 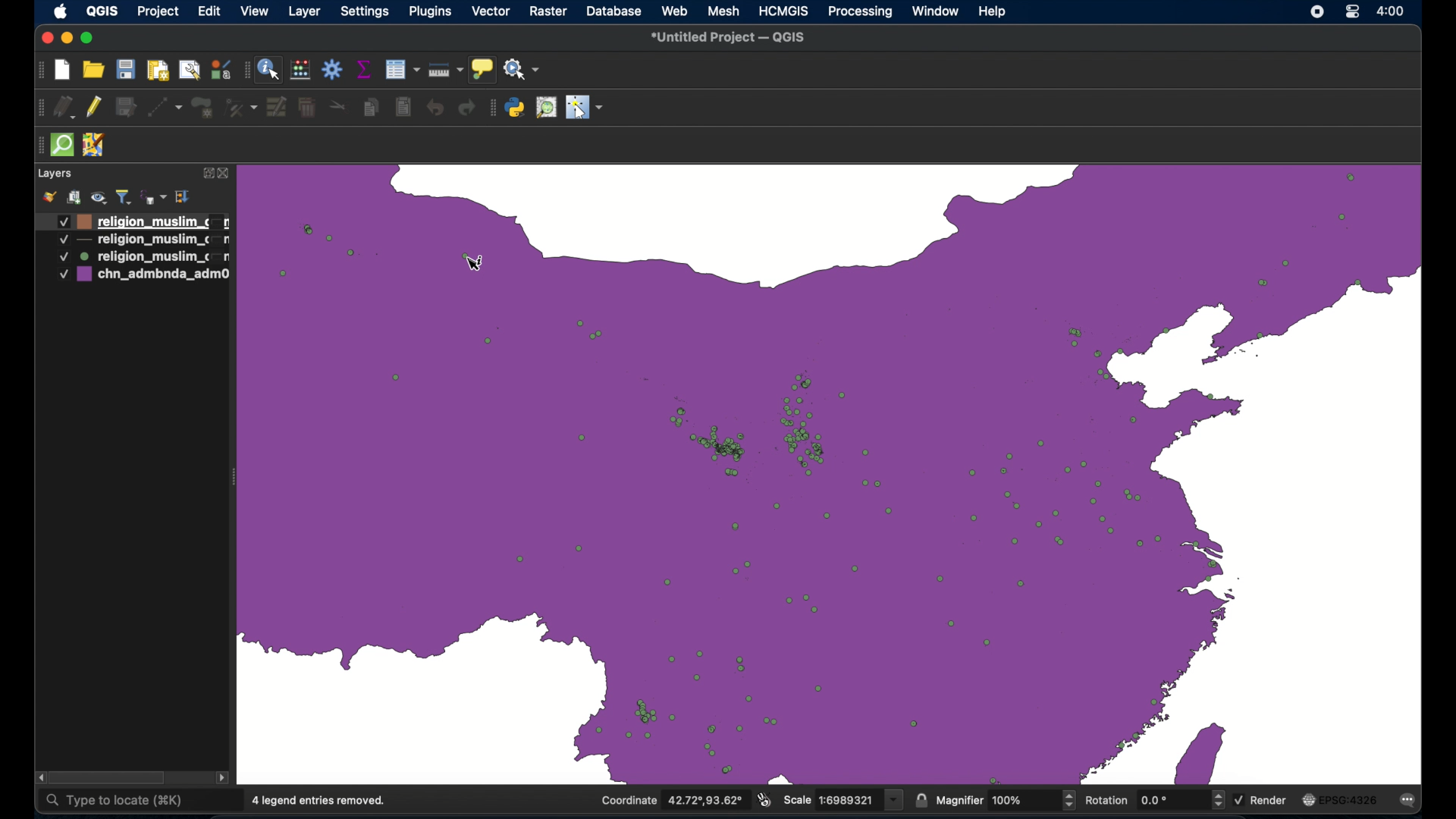 What do you see at coordinates (225, 175) in the screenshot?
I see `close` at bounding box center [225, 175].